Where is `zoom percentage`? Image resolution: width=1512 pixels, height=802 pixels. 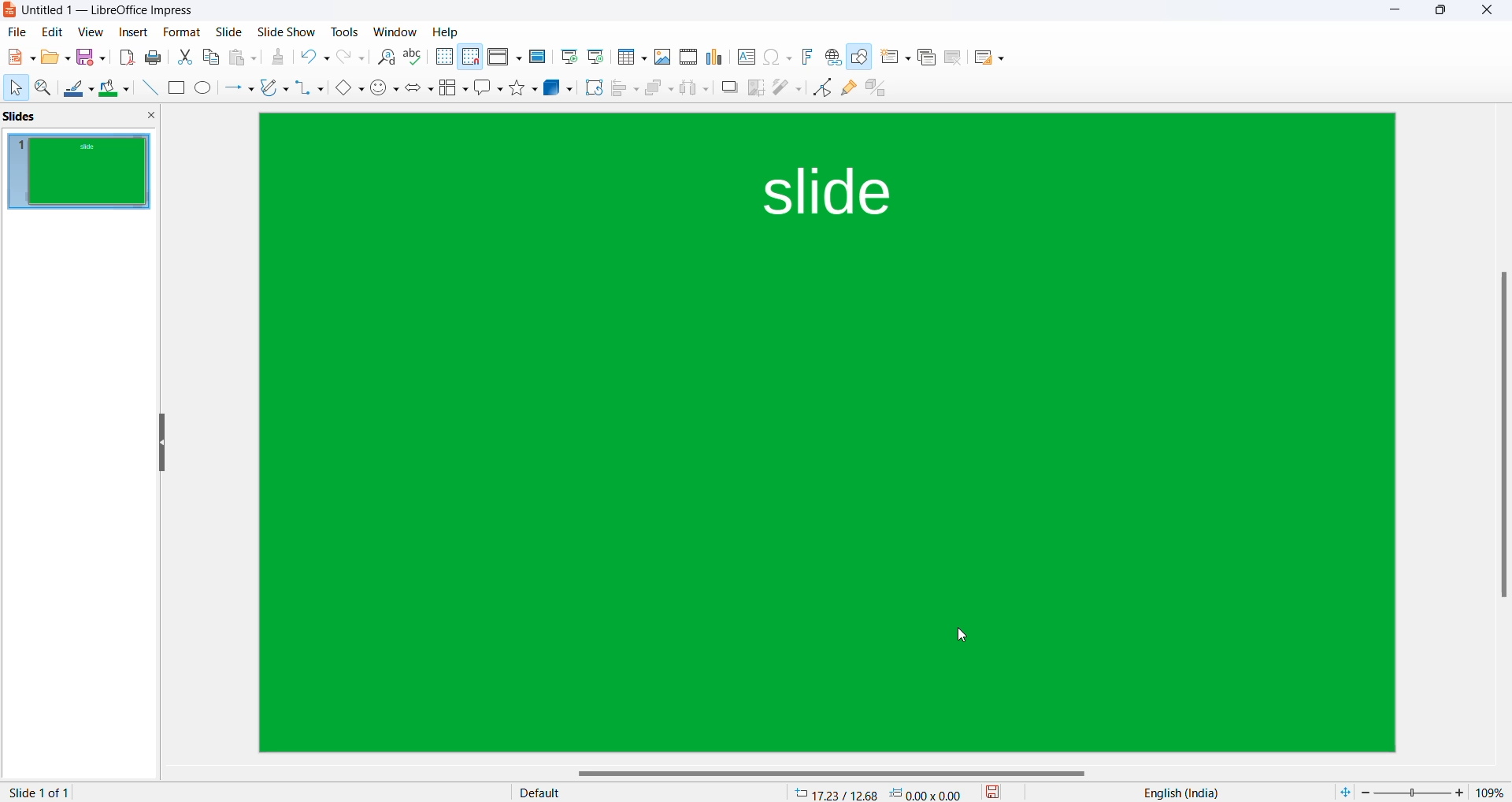 zoom percentage is located at coordinates (1492, 792).